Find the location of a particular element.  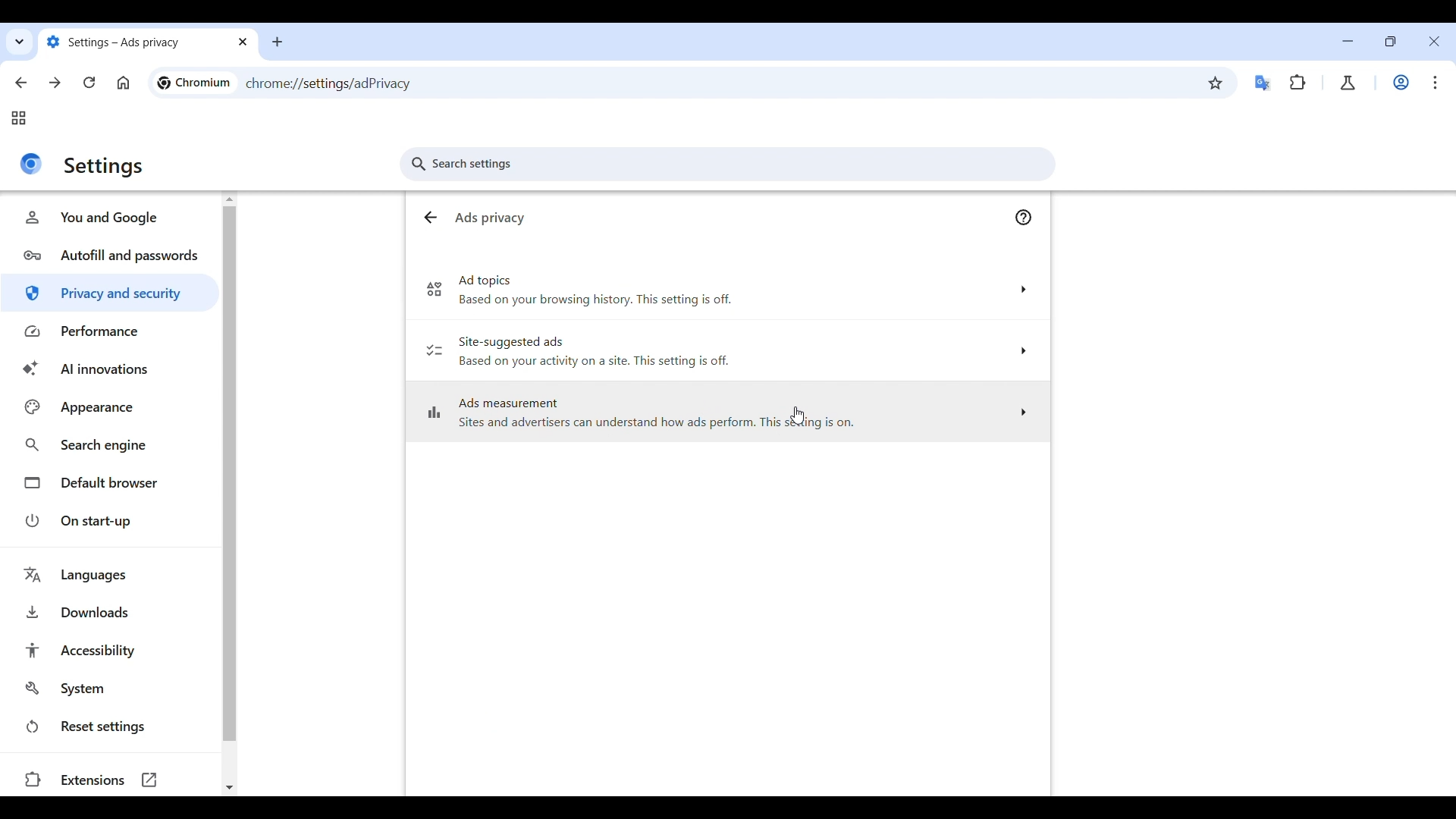

Go back is located at coordinates (20, 83).